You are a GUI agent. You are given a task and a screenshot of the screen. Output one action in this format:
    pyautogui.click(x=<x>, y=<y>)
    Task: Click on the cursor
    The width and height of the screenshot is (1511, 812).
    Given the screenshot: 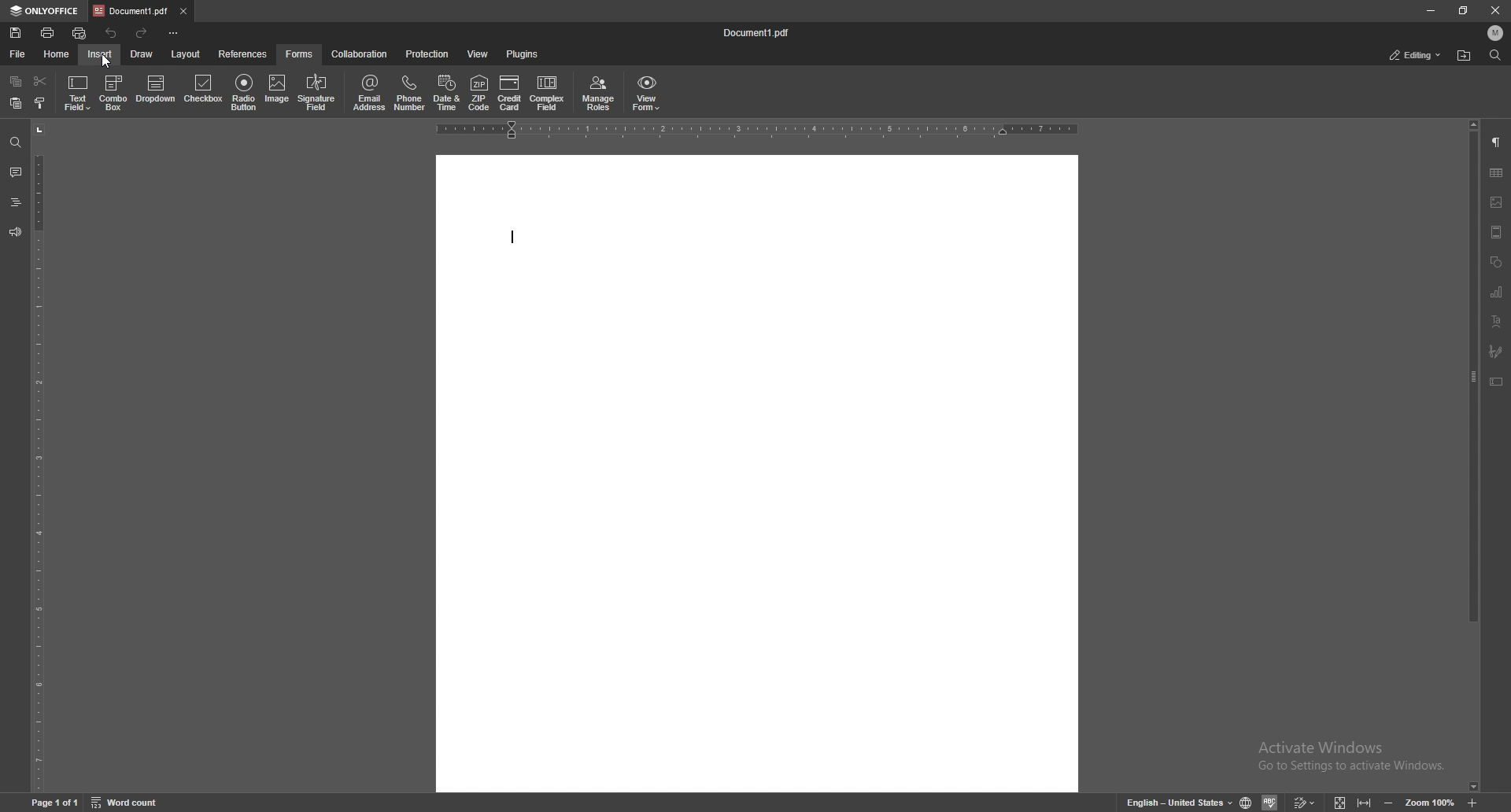 What is the action you would take?
    pyautogui.click(x=105, y=61)
    